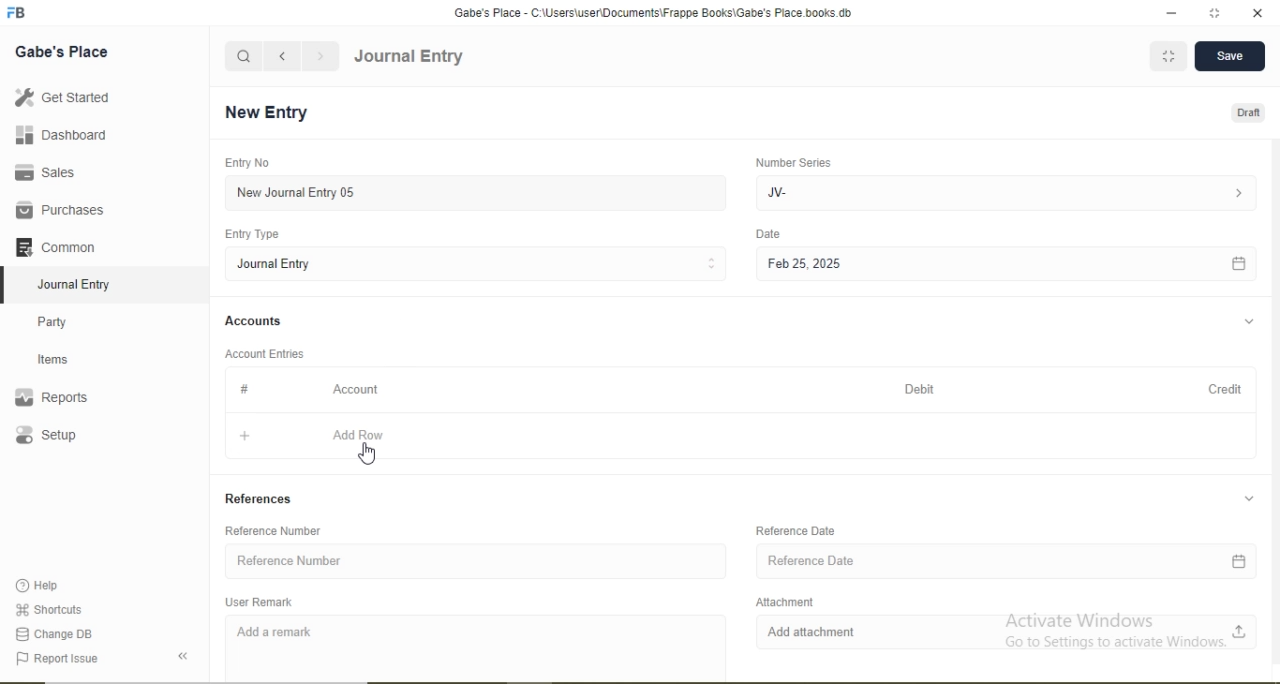 Image resolution: width=1280 pixels, height=684 pixels. What do you see at coordinates (1219, 388) in the screenshot?
I see `Credit` at bounding box center [1219, 388].